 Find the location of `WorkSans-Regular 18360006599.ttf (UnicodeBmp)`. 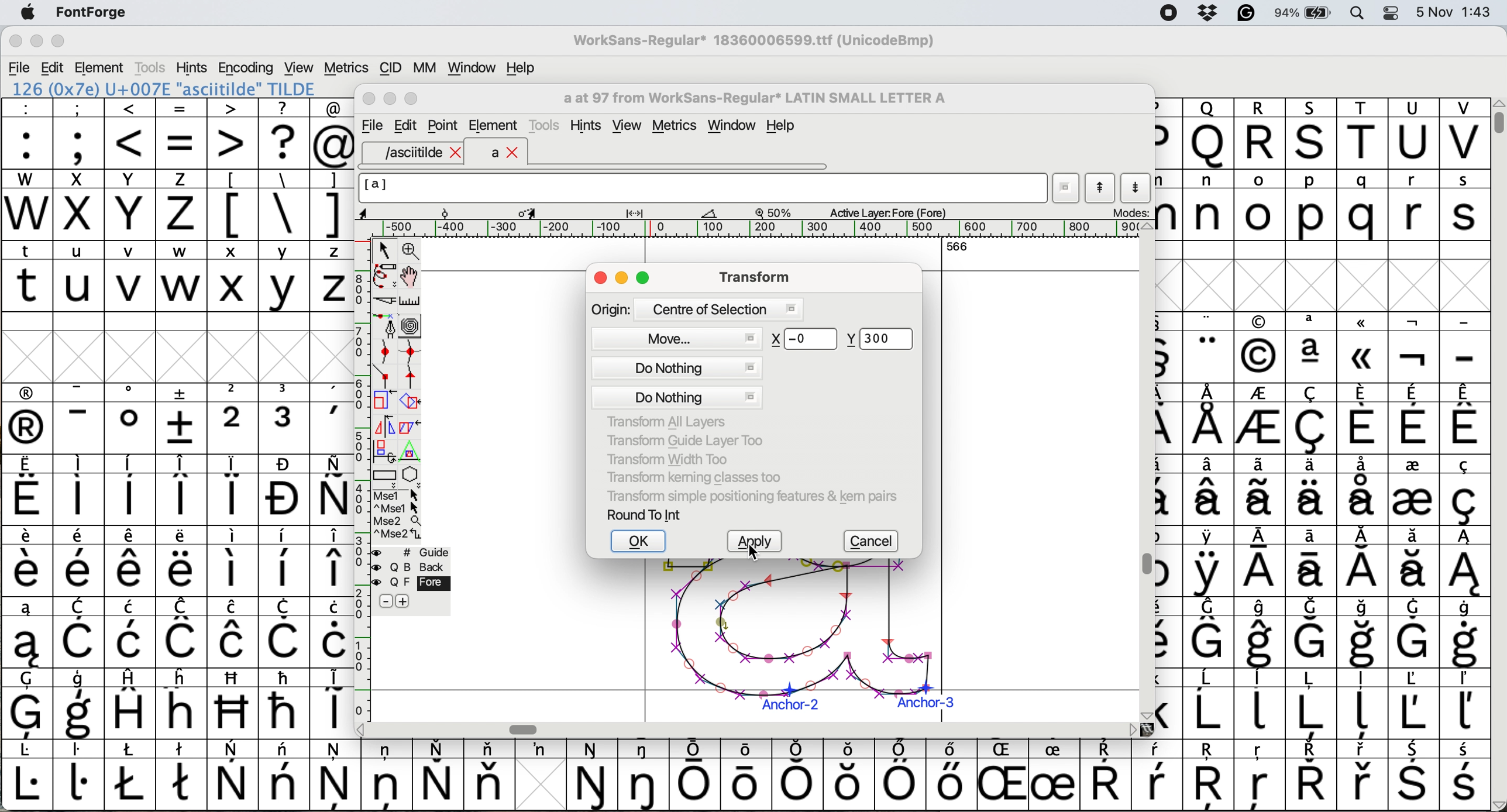

WorkSans-Regular 18360006599.ttf (UnicodeBmp) is located at coordinates (754, 43).